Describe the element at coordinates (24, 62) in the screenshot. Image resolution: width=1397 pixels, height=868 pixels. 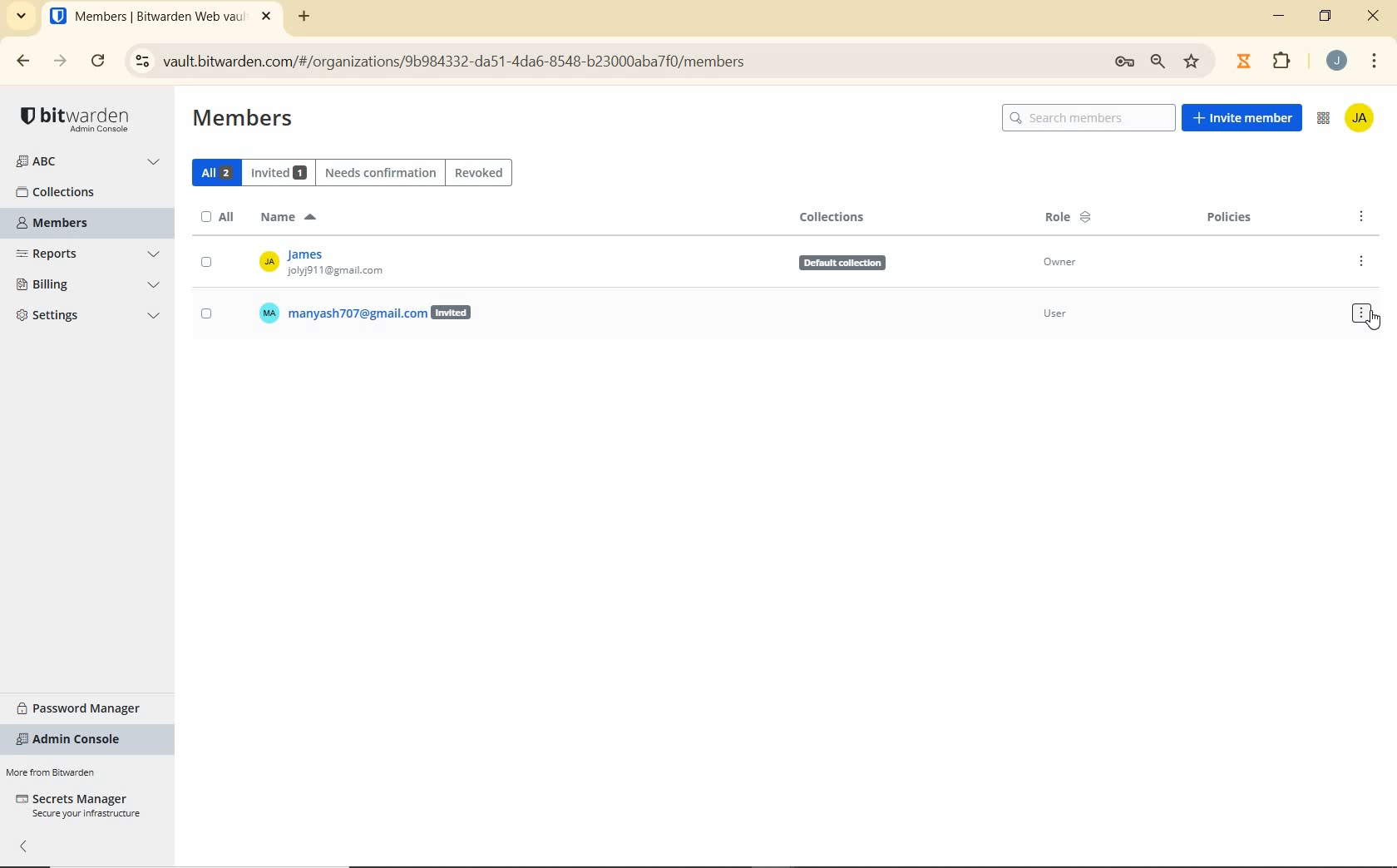
I see `BACK` at that location.